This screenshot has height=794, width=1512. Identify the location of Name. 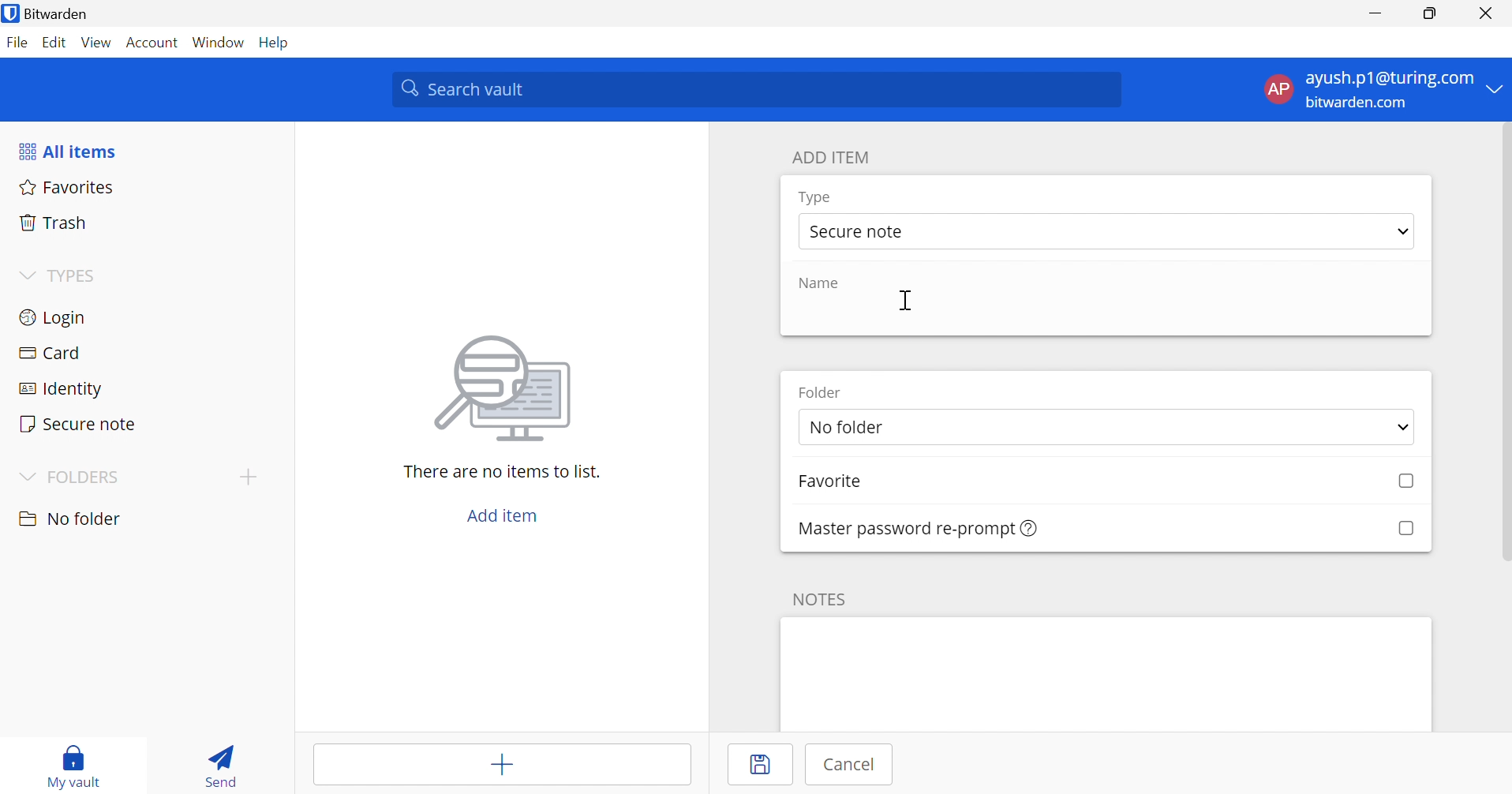
(824, 283).